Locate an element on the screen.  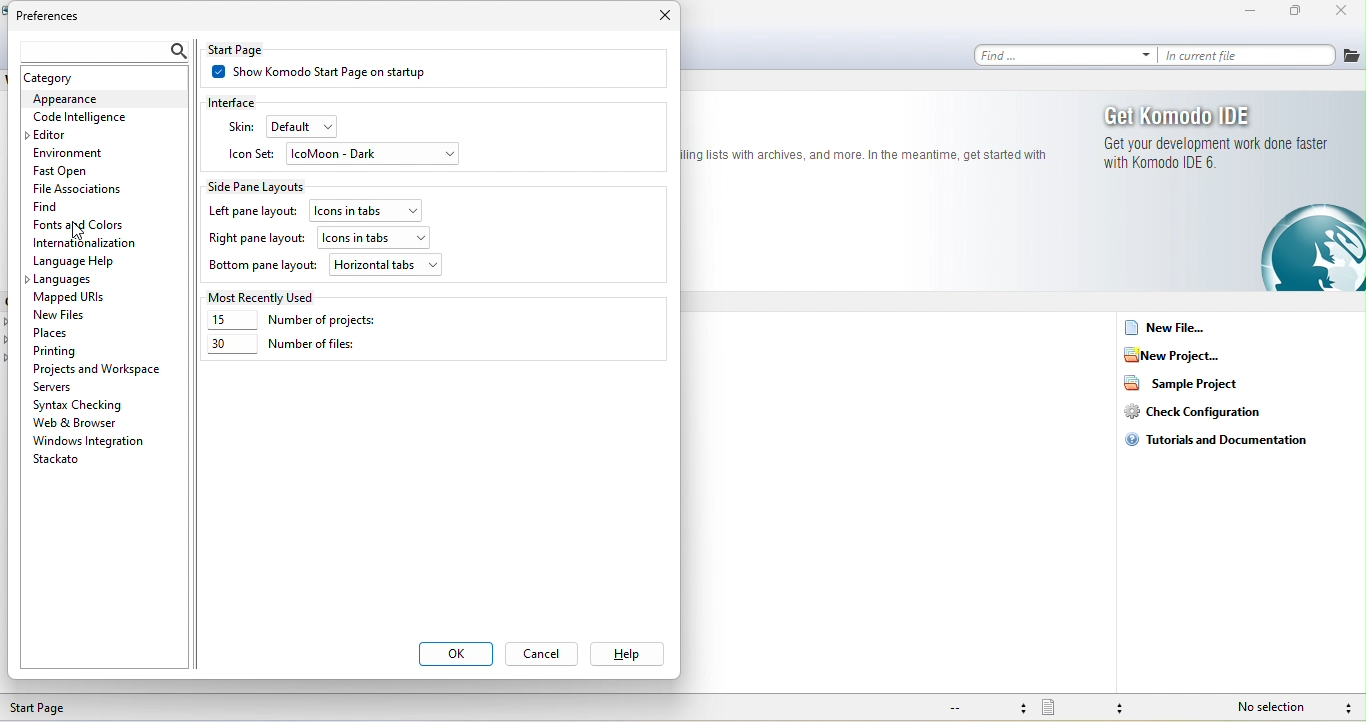
cursor movement is located at coordinates (79, 235).